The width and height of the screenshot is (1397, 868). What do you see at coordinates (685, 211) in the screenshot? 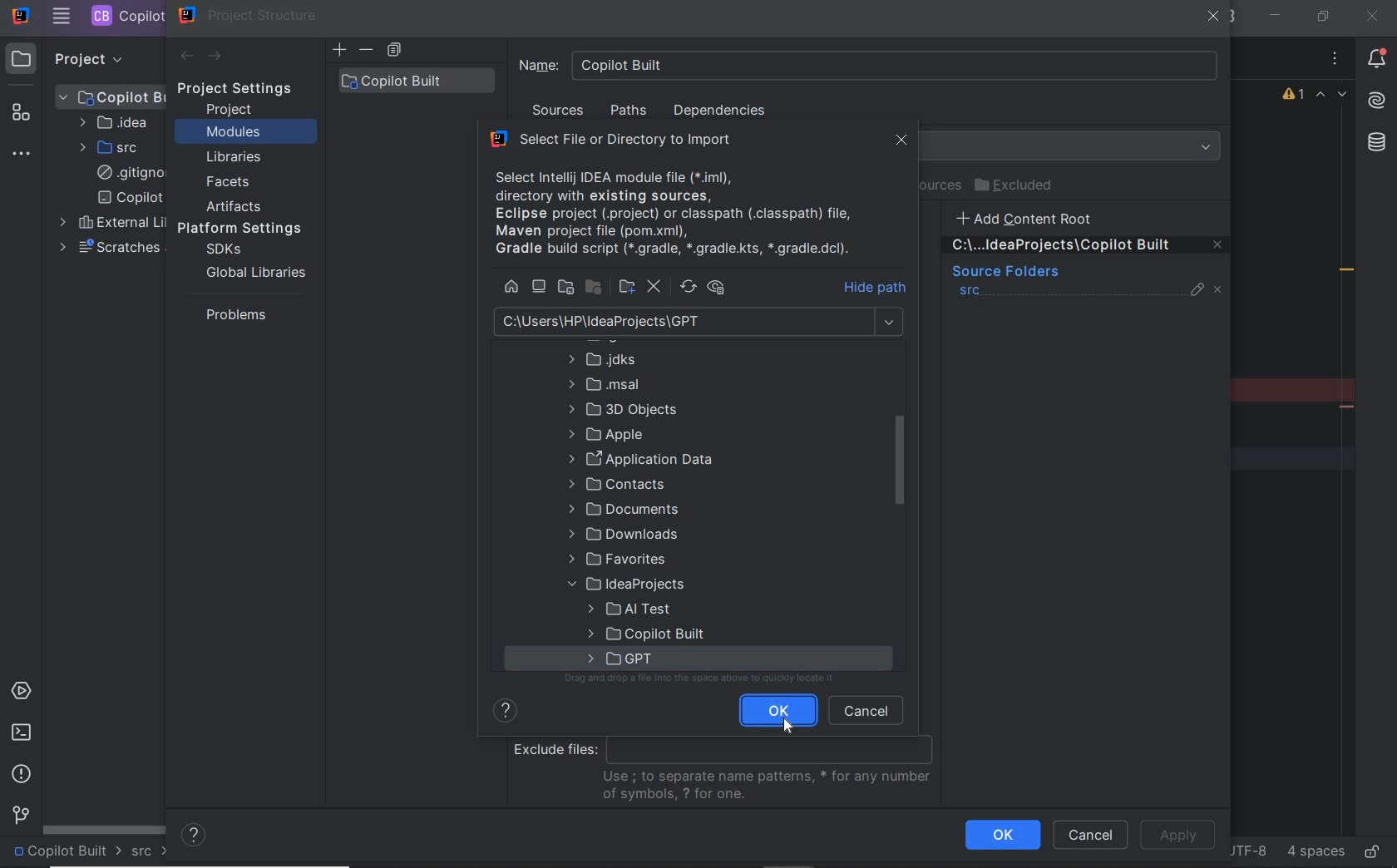
I see `available files` at bounding box center [685, 211].